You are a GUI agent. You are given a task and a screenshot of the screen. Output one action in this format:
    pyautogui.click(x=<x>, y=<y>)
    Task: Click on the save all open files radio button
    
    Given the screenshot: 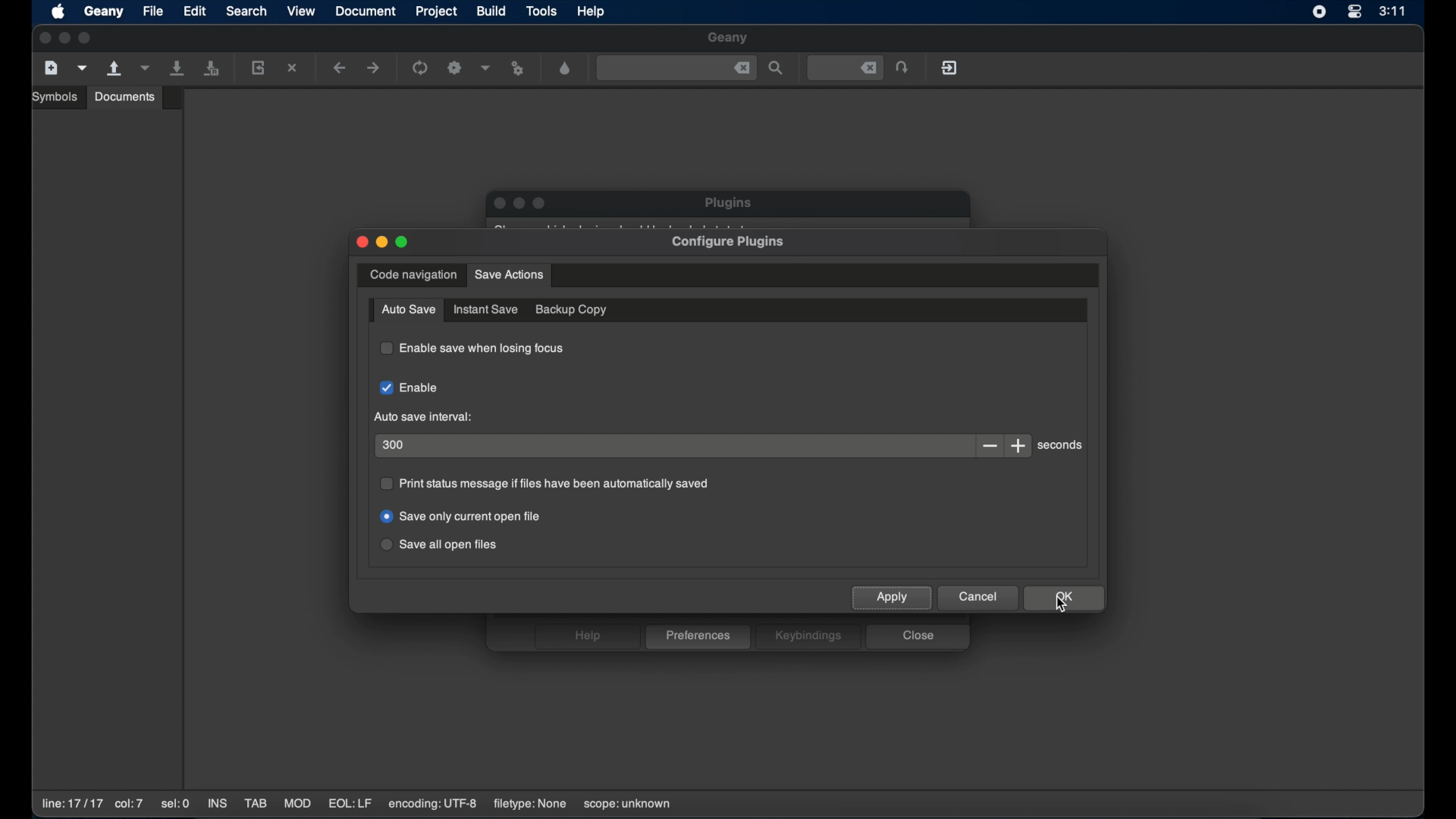 What is the action you would take?
    pyautogui.click(x=440, y=545)
    